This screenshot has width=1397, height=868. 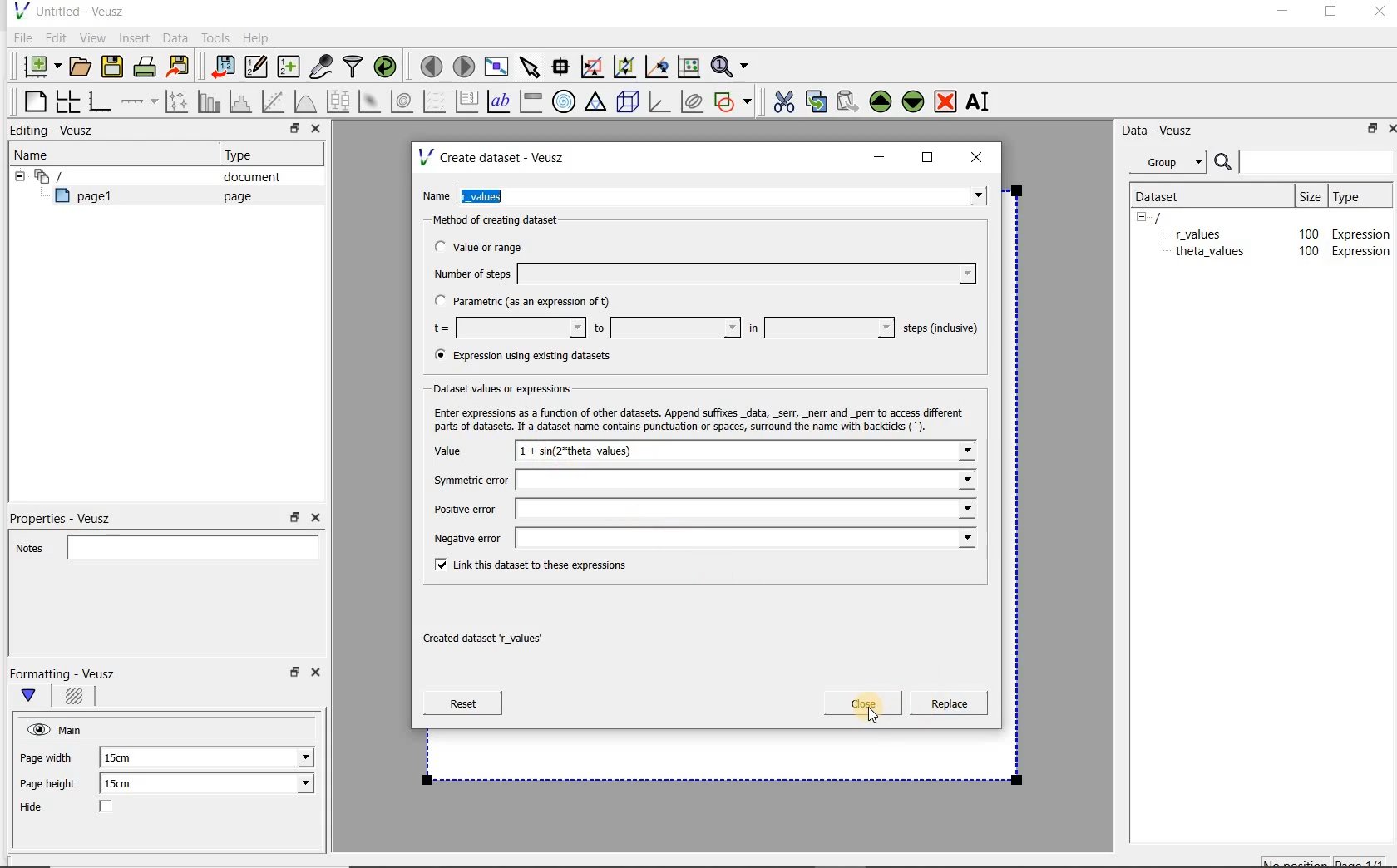 I want to click on Page width dropdown, so click(x=287, y=757).